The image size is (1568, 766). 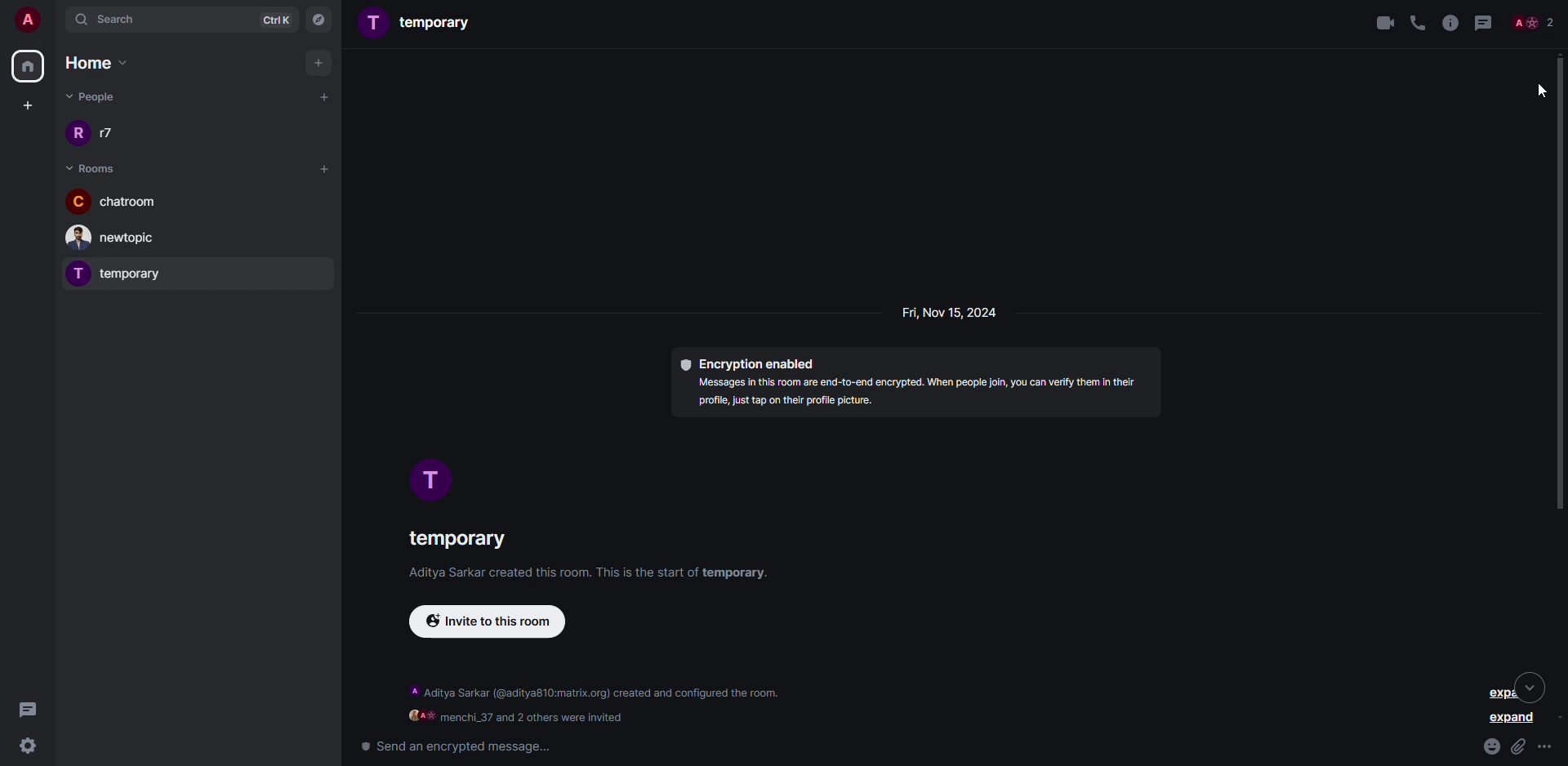 What do you see at coordinates (96, 99) in the screenshot?
I see `people` at bounding box center [96, 99].